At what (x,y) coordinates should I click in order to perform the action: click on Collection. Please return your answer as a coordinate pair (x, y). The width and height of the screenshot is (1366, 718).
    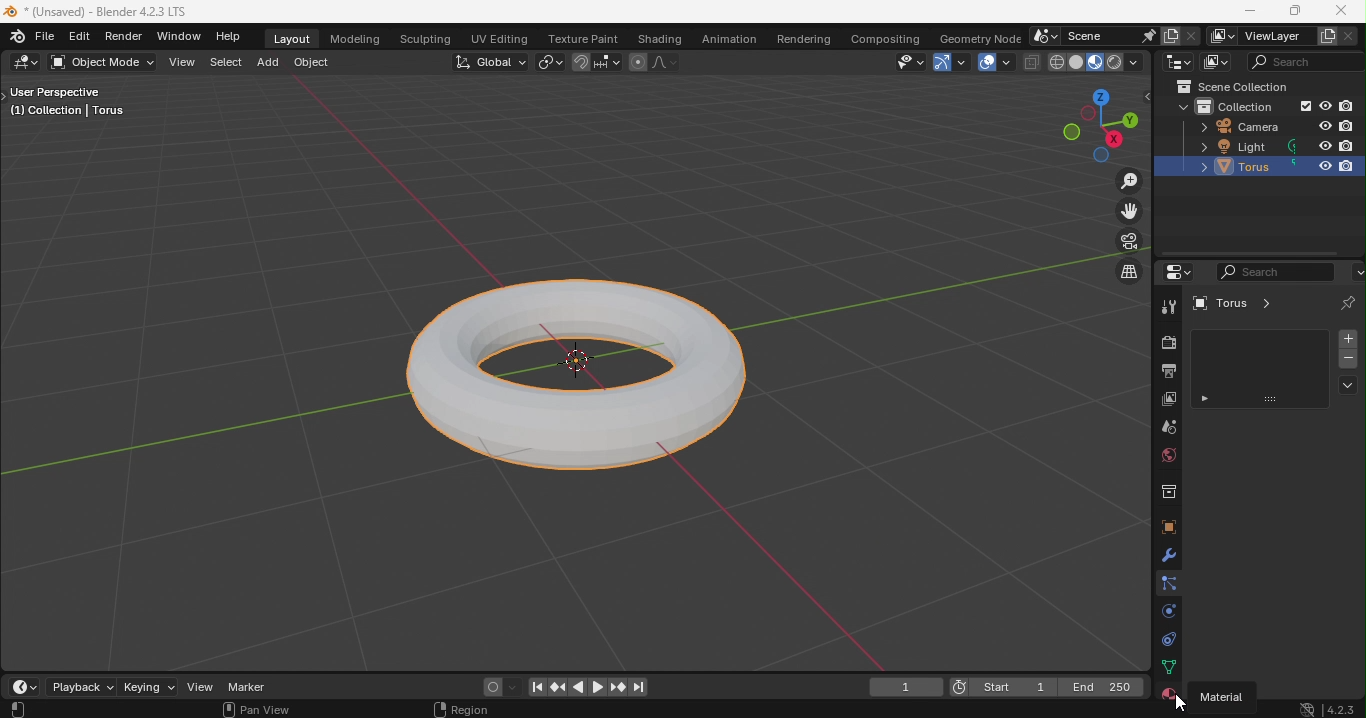
    Looking at the image, I should click on (1168, 492).